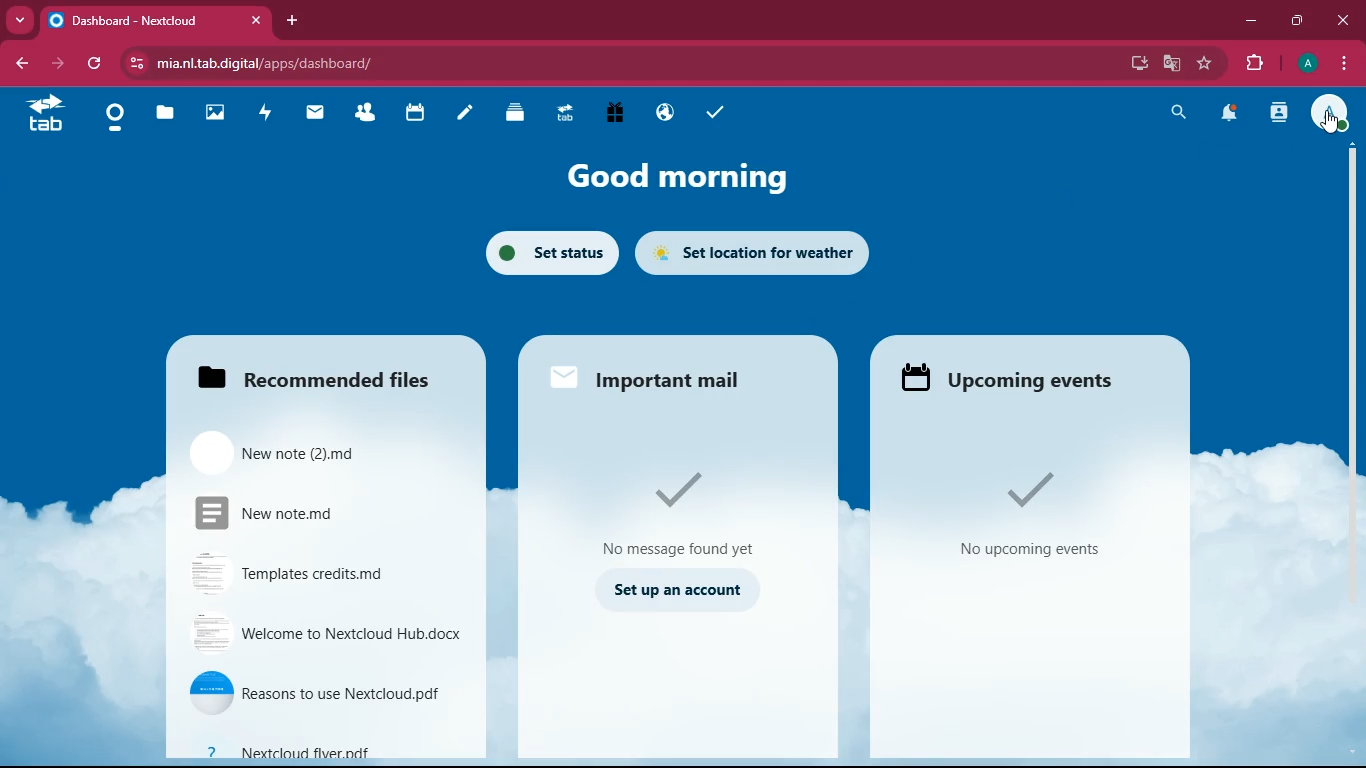 Image resolution: width=1366 pixels, height=768 pixels. What do you see at coordinates (1170, 64) in the screenshot?
I see `google translate` at bounding box center [1170, 64].